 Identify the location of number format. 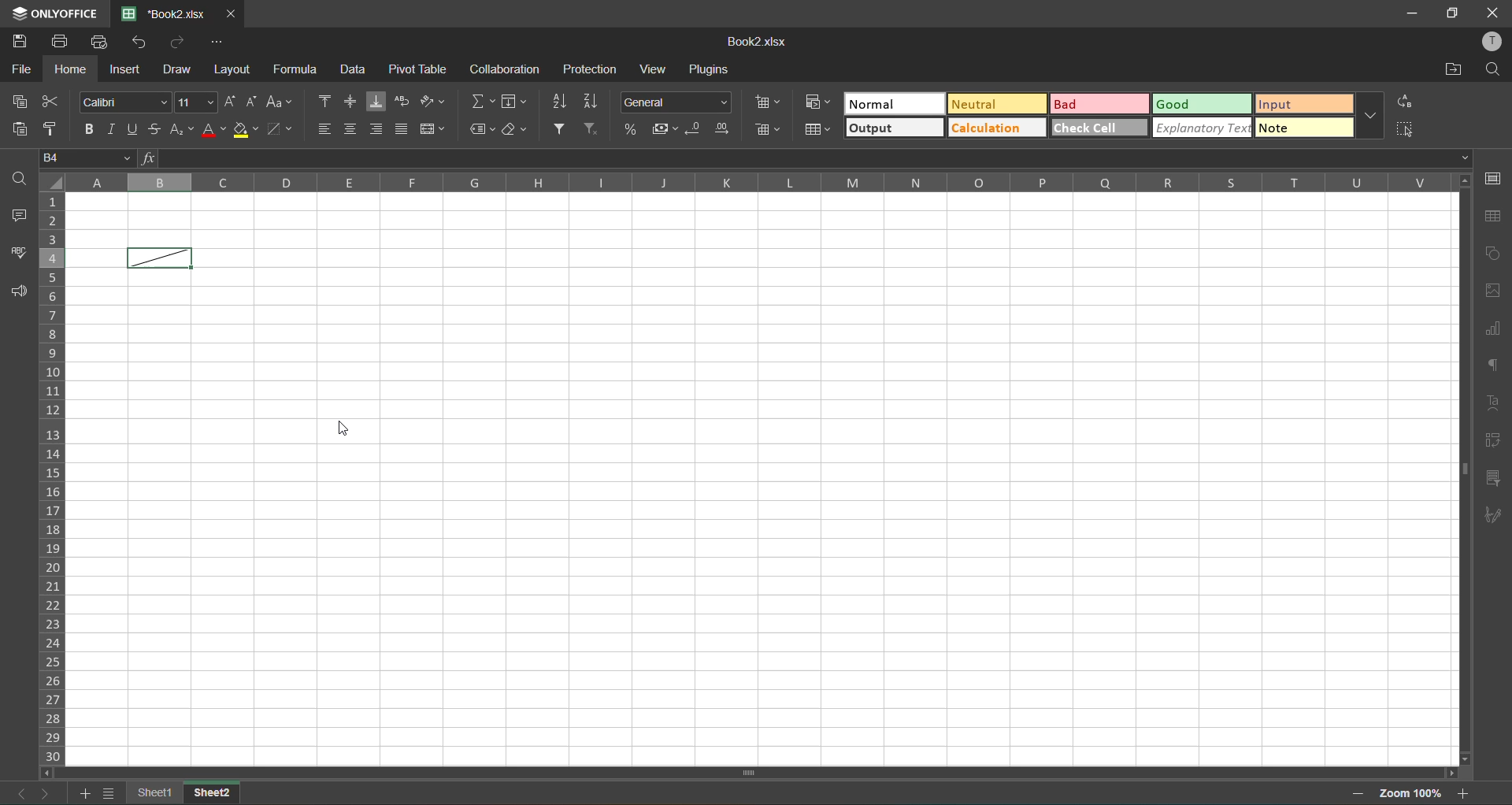
(678, 104).